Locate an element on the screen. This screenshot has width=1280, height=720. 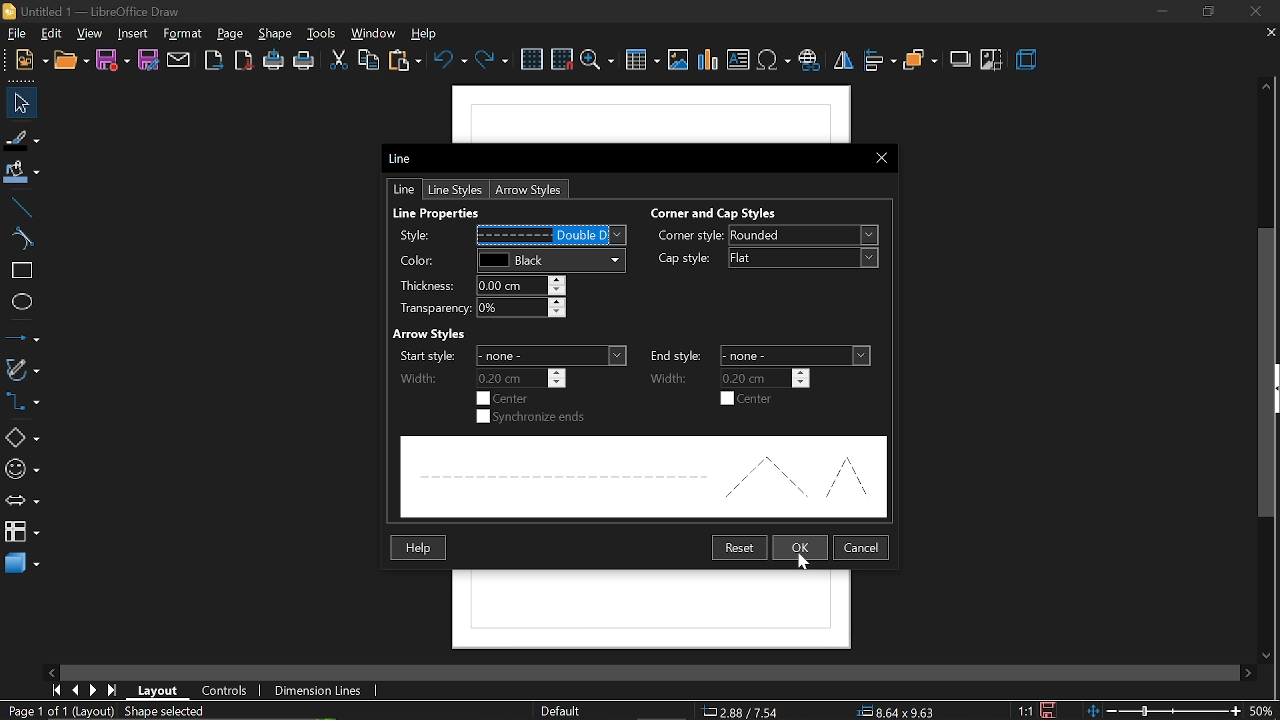
move left is located at coordinates (51, 673).